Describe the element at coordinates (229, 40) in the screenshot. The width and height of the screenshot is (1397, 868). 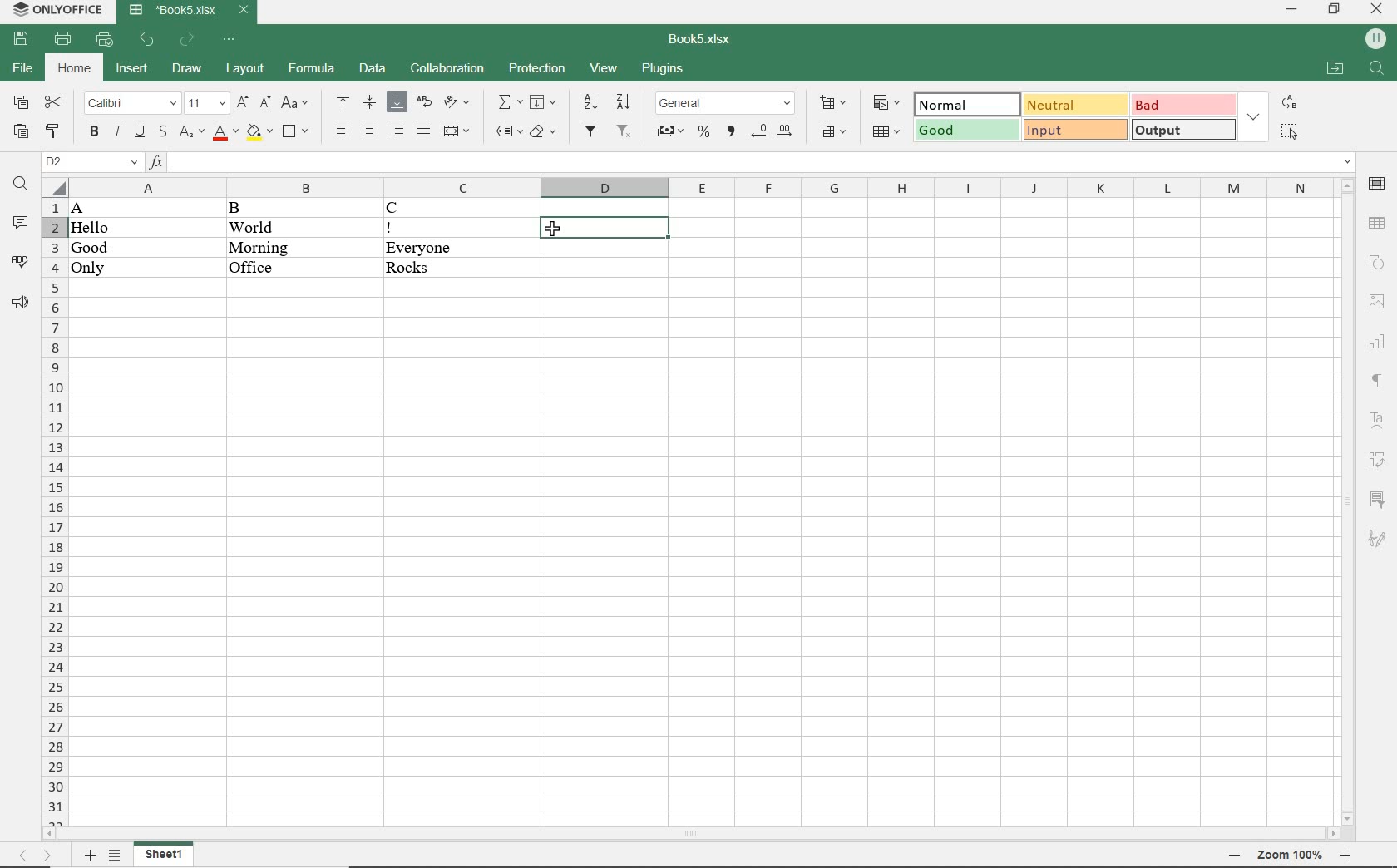
I see `customize quick access toolbar` at that location.